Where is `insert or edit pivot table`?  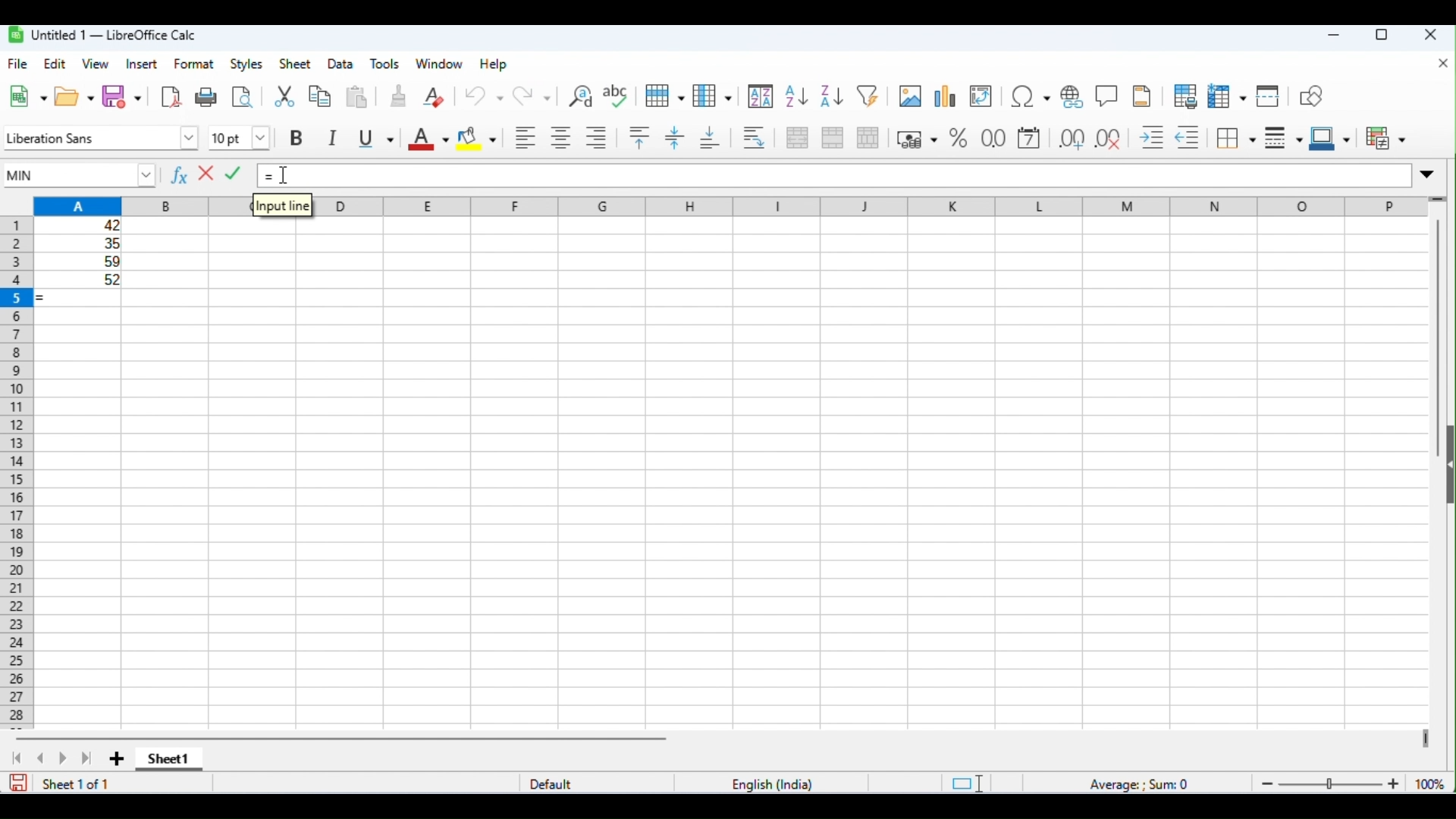 insert or edit pivot table is located at coordinates (981, 96).